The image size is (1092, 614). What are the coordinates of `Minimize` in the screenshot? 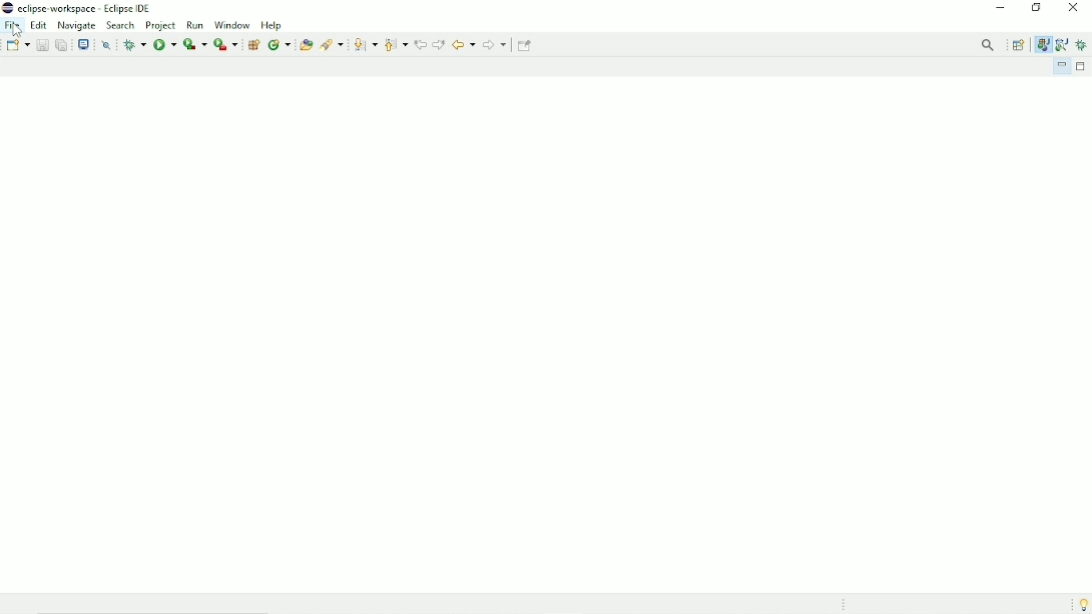 It's located at (1055, 68).